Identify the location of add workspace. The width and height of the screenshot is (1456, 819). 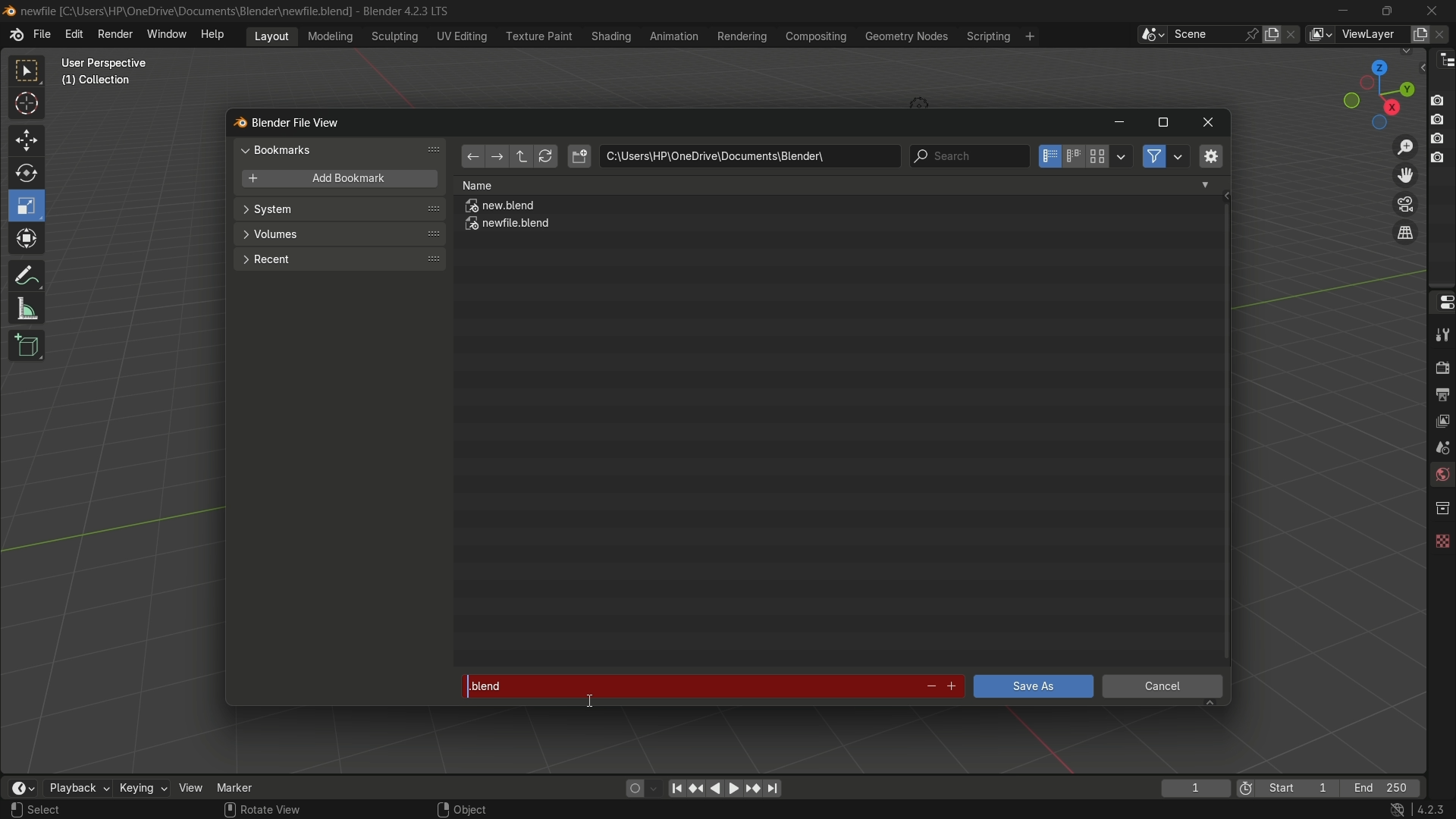
(1028, 36).